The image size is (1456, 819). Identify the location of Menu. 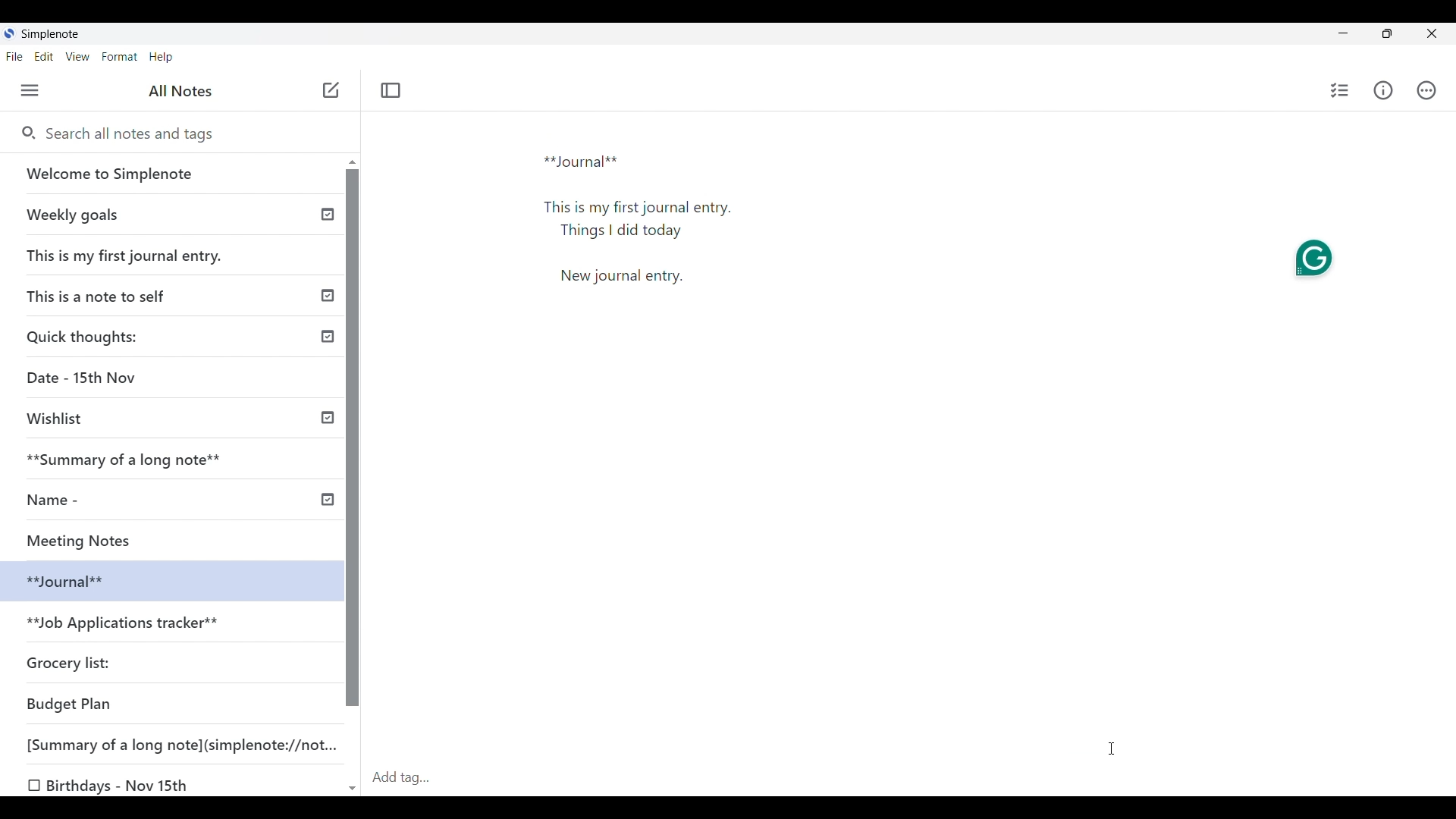
(30, 90).